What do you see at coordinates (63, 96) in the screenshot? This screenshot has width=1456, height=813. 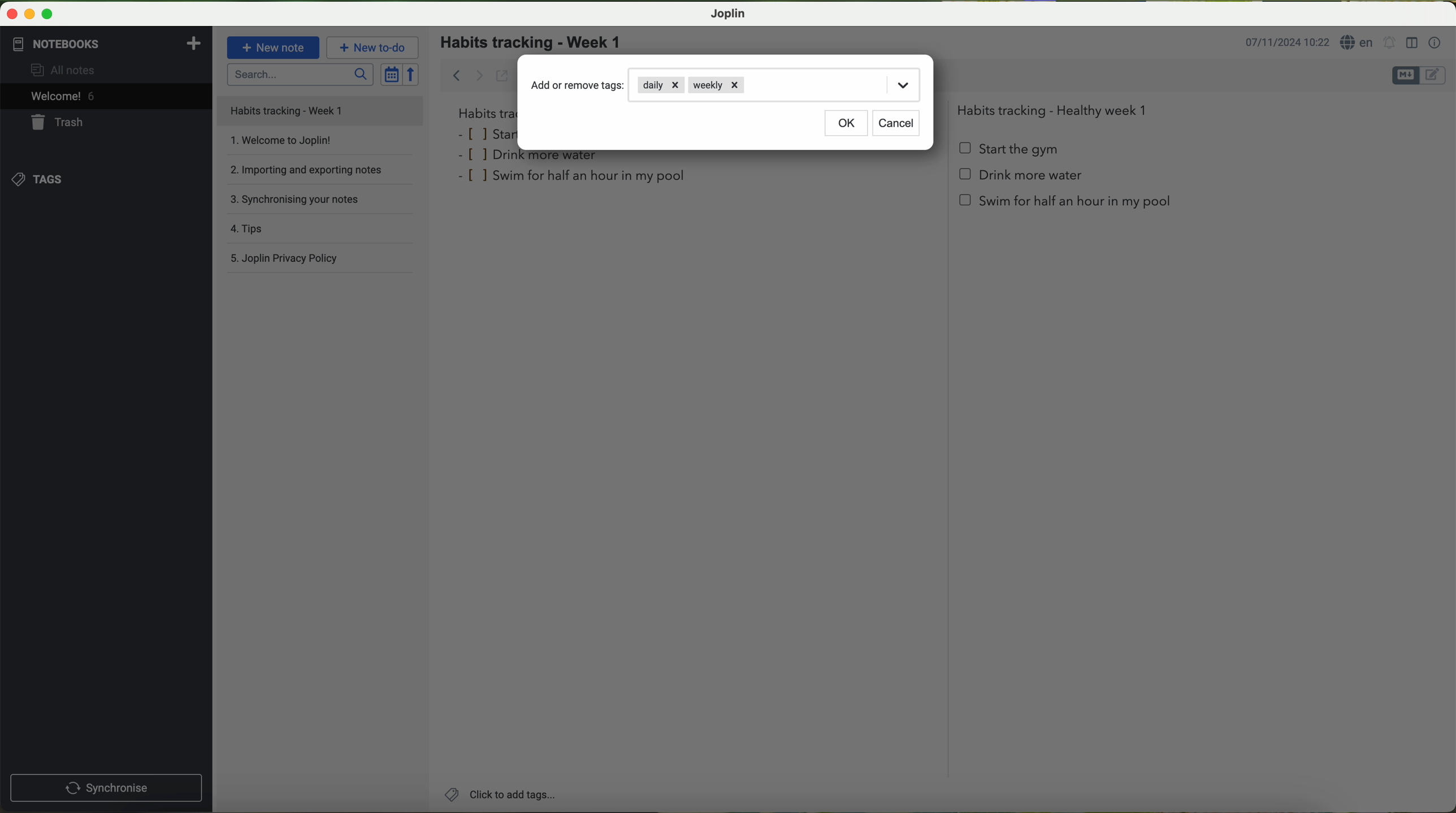 I see `welcome 5` at bounding box center [63, 96].